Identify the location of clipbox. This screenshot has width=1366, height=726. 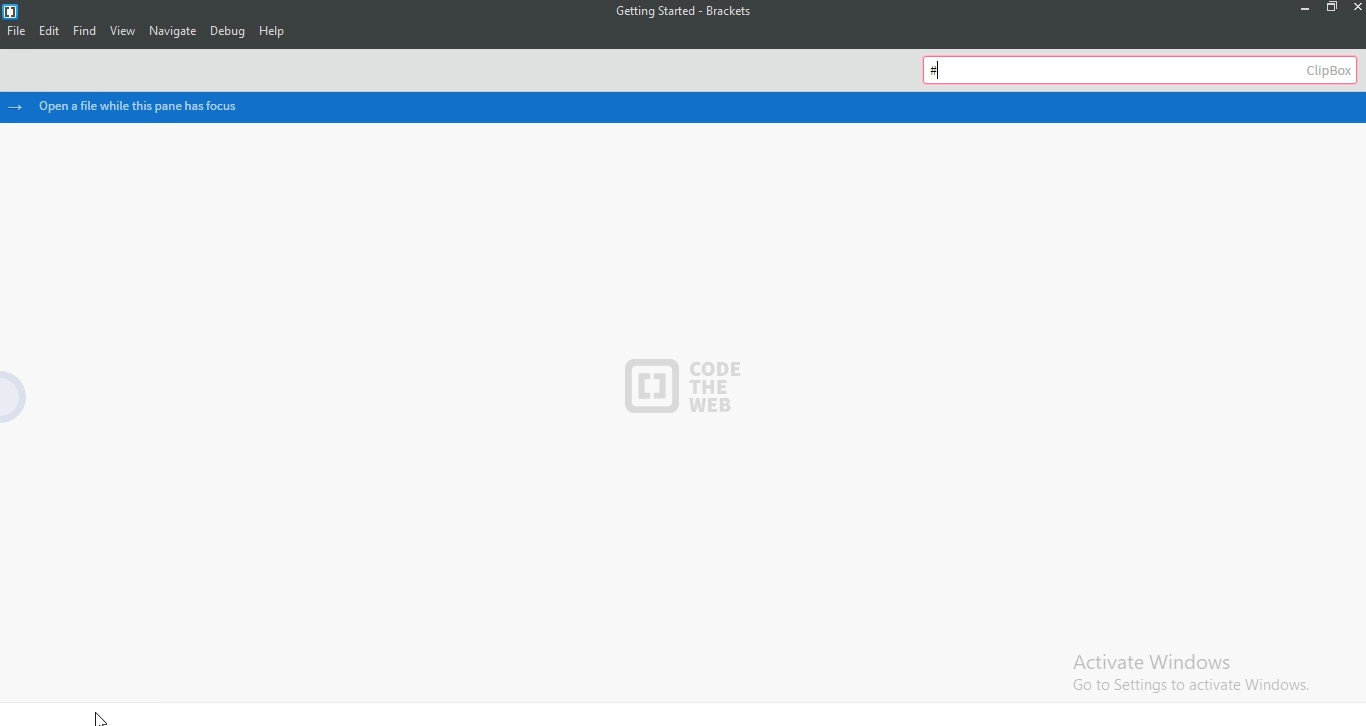
(1140, 68).